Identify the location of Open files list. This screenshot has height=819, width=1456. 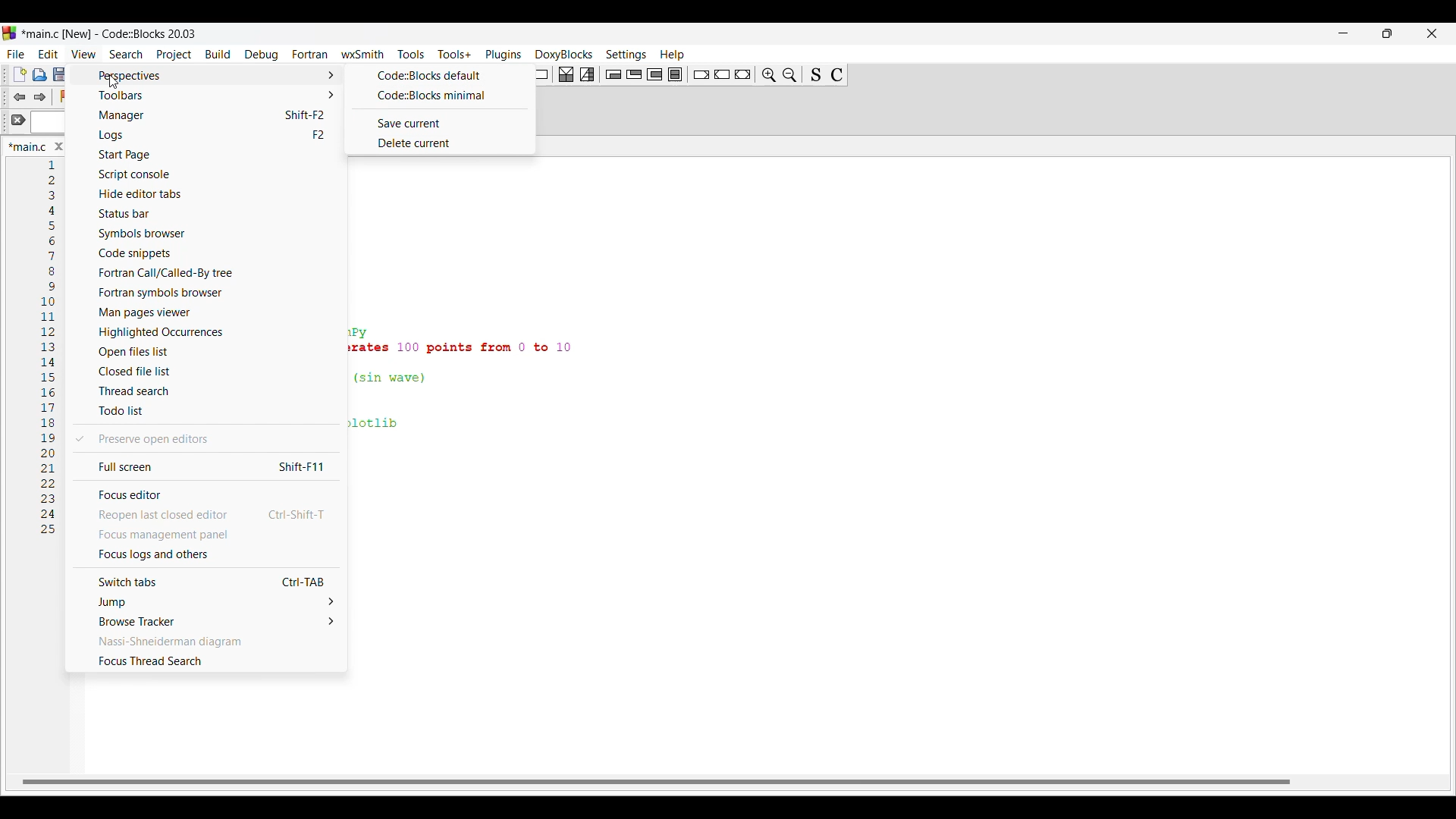
(207, 352).